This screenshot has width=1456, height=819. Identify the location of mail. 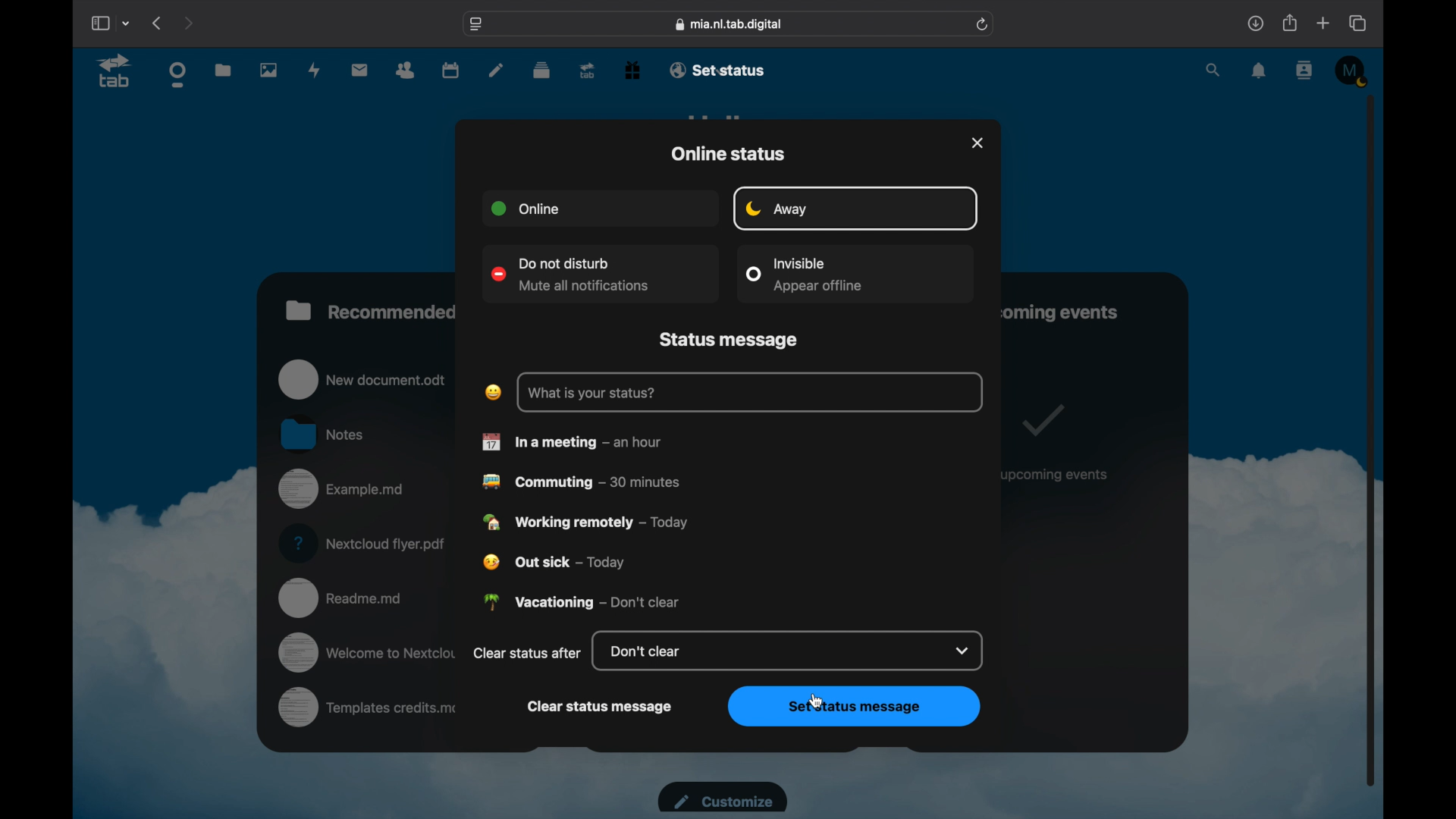
(360, 69).